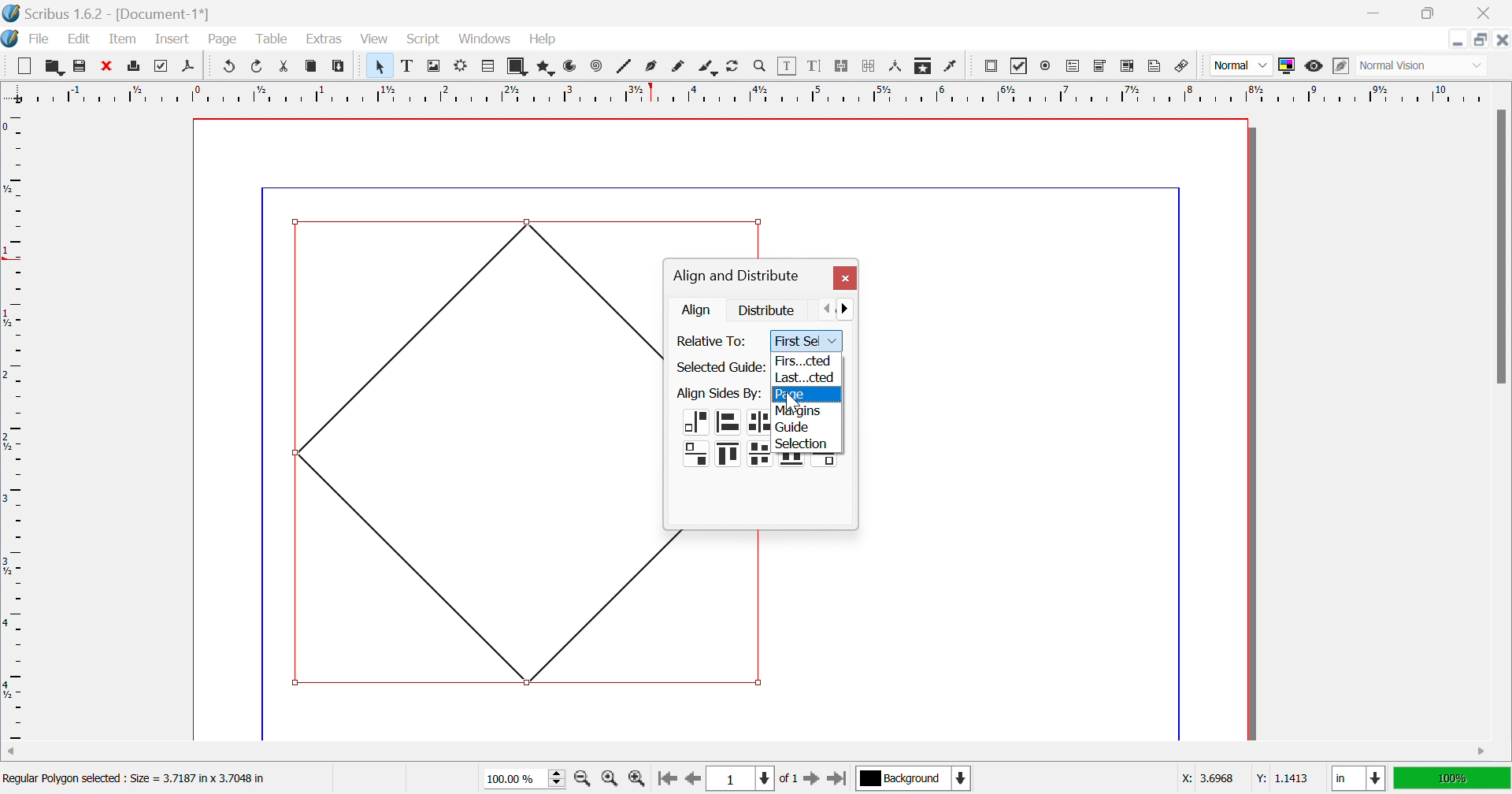  I want to click on Close, so click(1488, 13).